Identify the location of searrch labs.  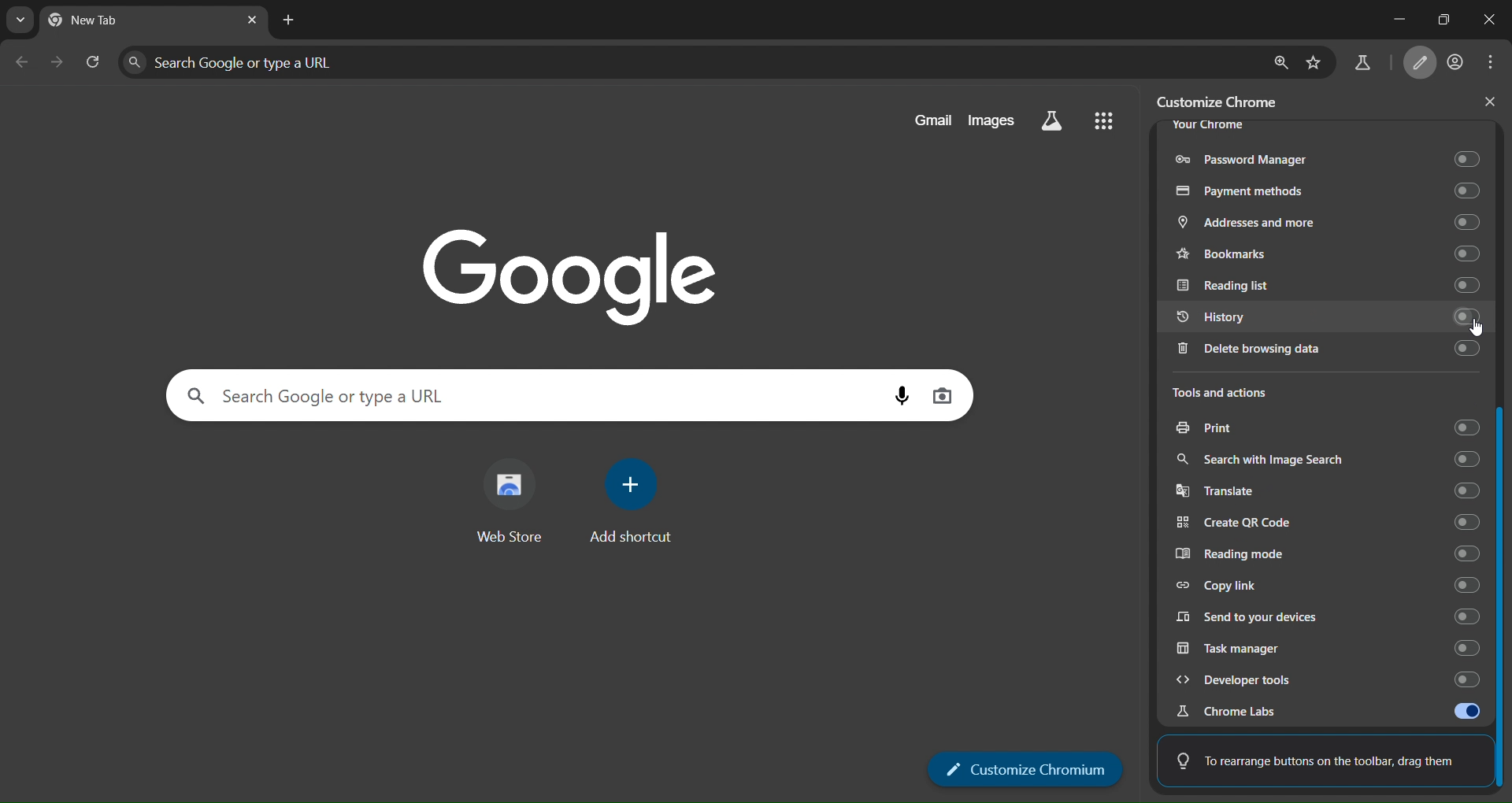
(1052, 121).